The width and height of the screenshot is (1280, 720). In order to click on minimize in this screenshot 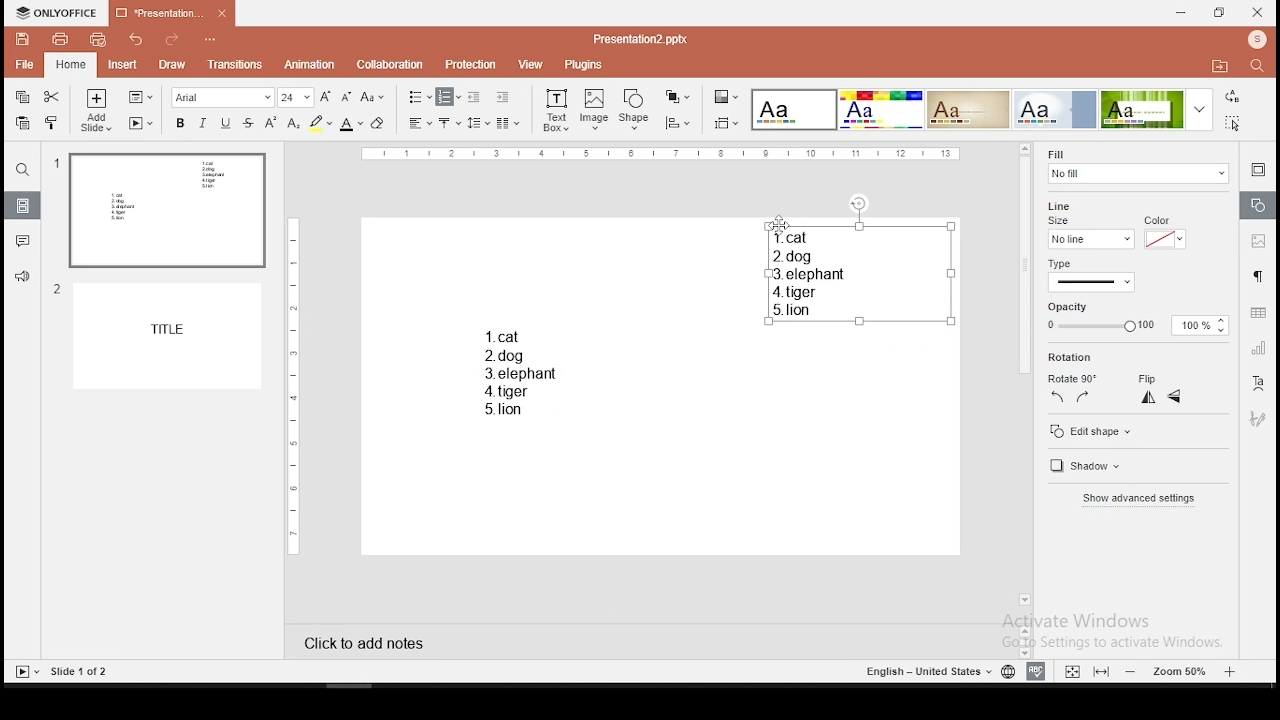, I will do `click(1181, 14)`.